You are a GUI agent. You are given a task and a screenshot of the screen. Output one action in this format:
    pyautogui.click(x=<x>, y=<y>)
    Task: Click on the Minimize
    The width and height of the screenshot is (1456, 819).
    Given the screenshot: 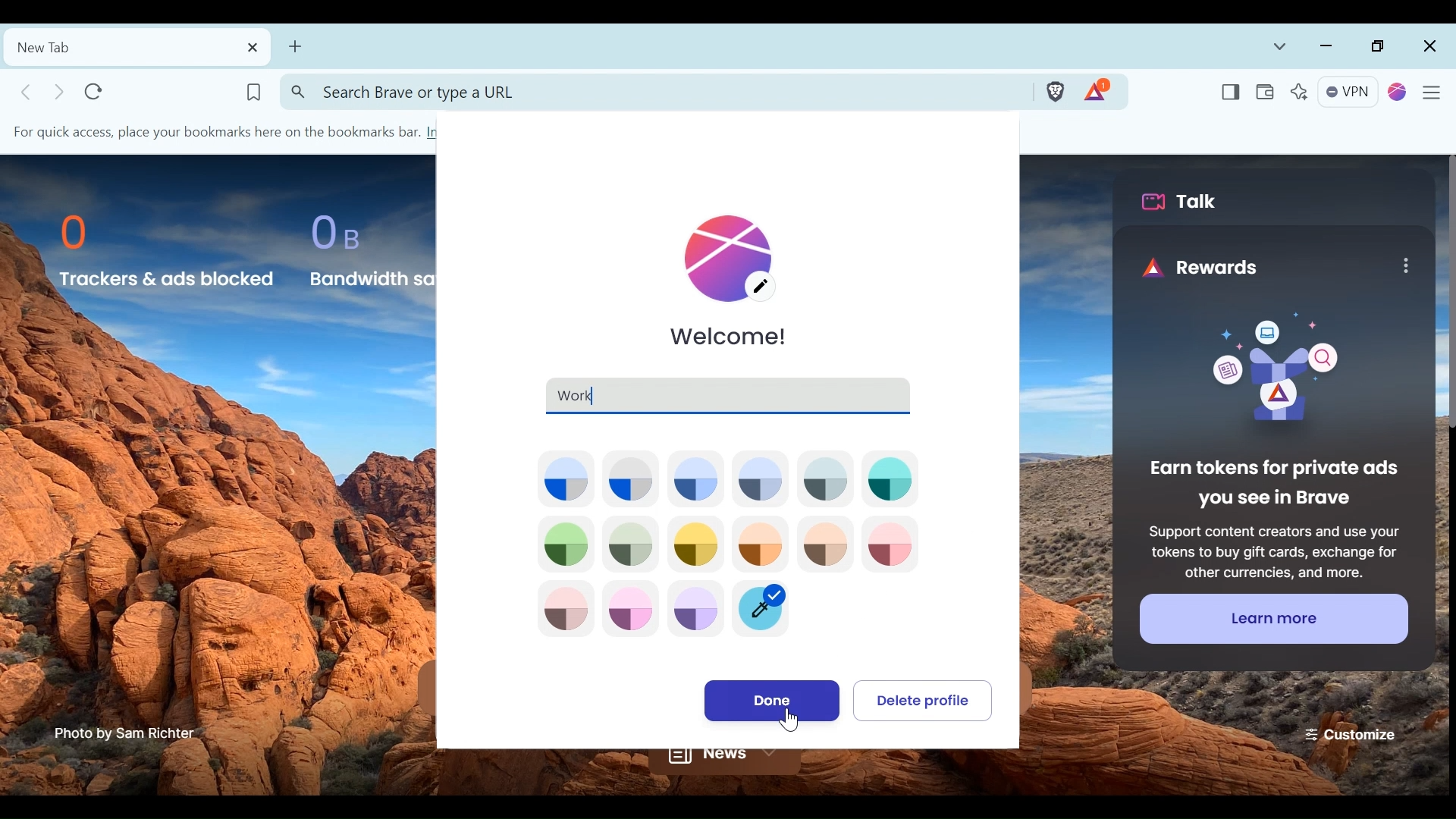 What is the action you would take?
    pyautogui.click(x=1327, y=47)
    